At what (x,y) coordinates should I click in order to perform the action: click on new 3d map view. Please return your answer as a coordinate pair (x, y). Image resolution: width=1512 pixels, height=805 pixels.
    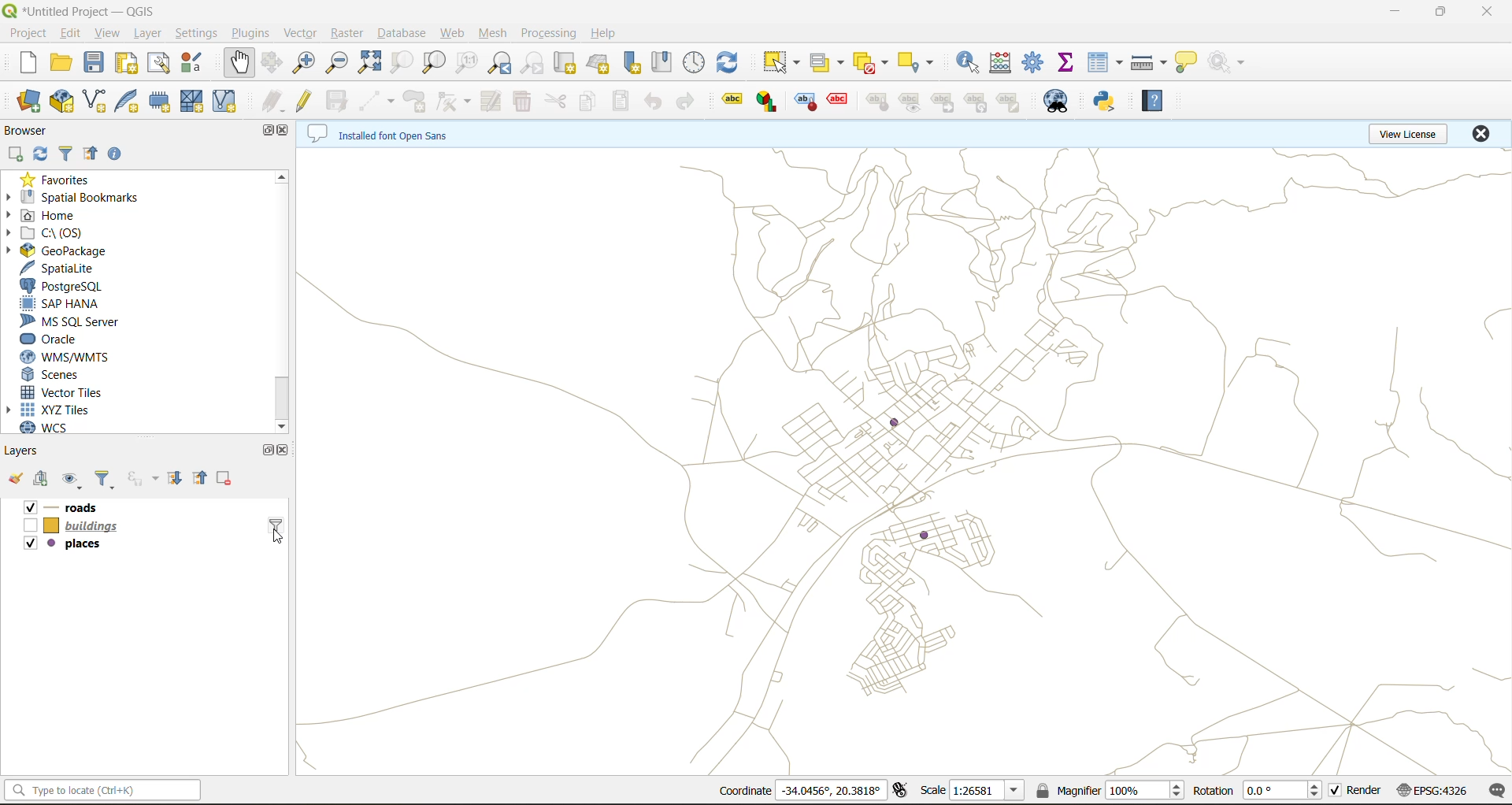
    Looking at the image, I should click on (602, 65).